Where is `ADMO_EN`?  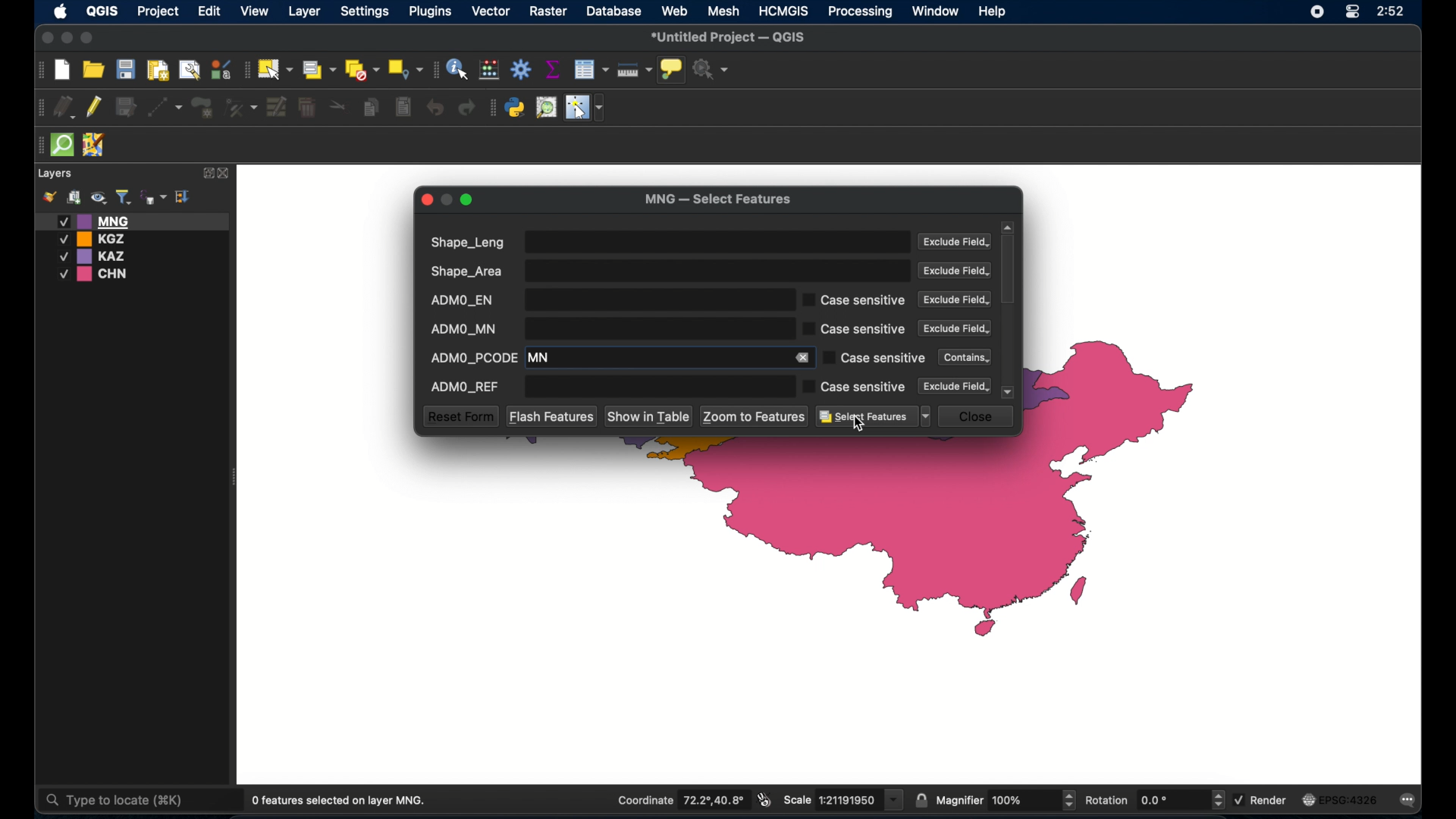
ADMO_EN is located at coordinates (606, 300).